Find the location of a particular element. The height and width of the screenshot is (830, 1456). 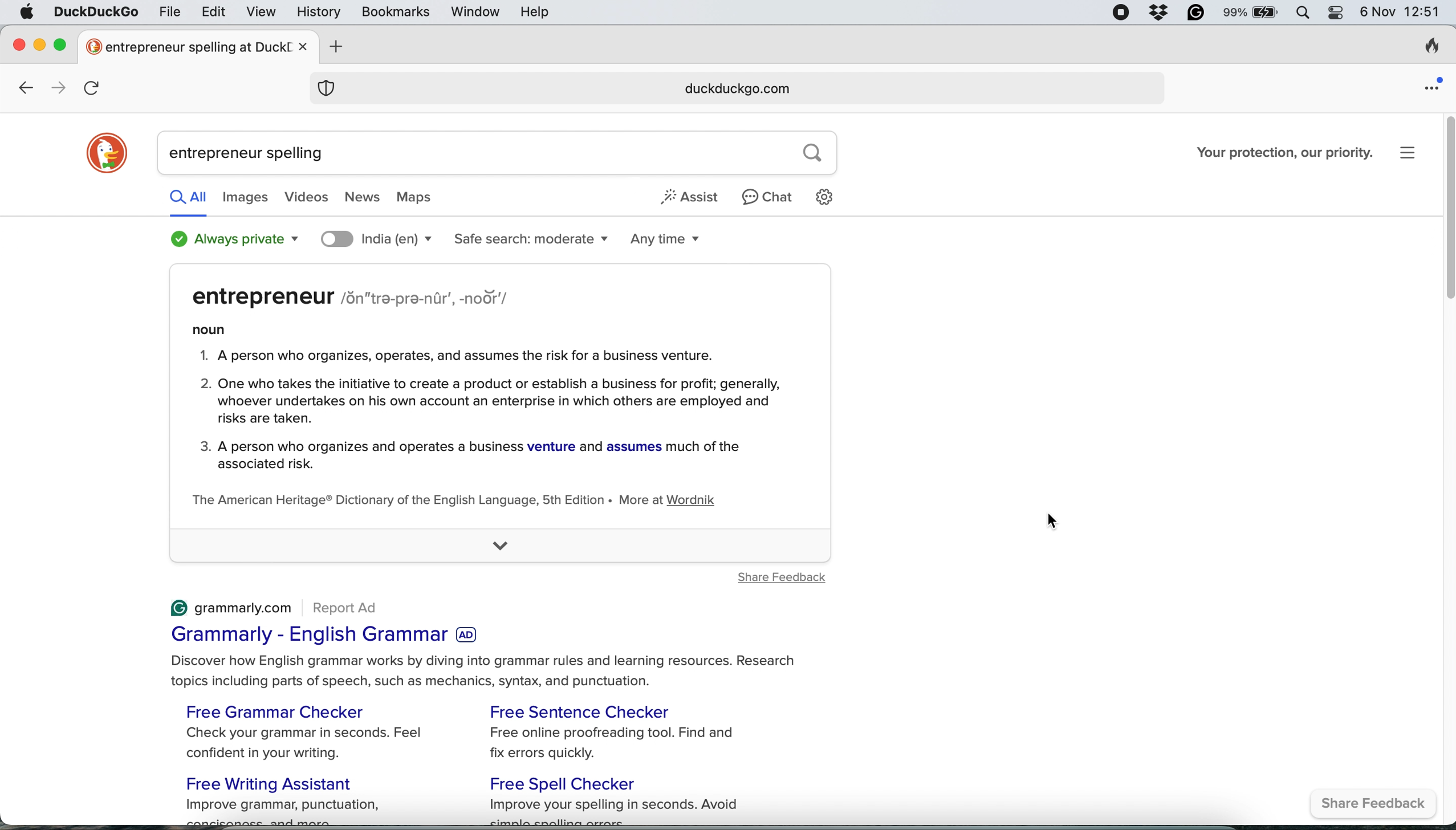

6 Nov 12:51 is located at coordinates (1402, 13).